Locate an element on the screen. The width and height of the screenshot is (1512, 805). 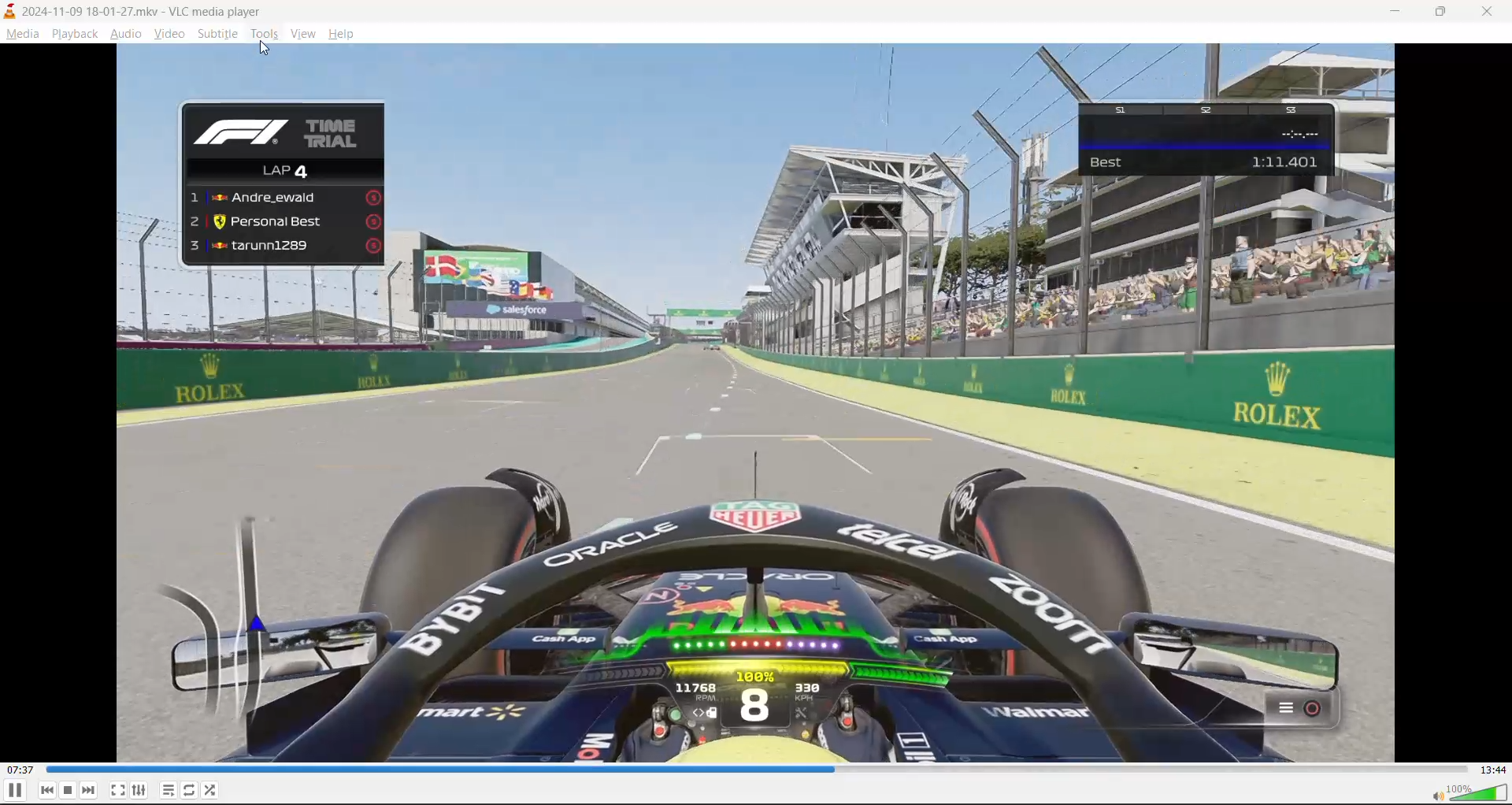
stop is located at coordinates (69, 790).